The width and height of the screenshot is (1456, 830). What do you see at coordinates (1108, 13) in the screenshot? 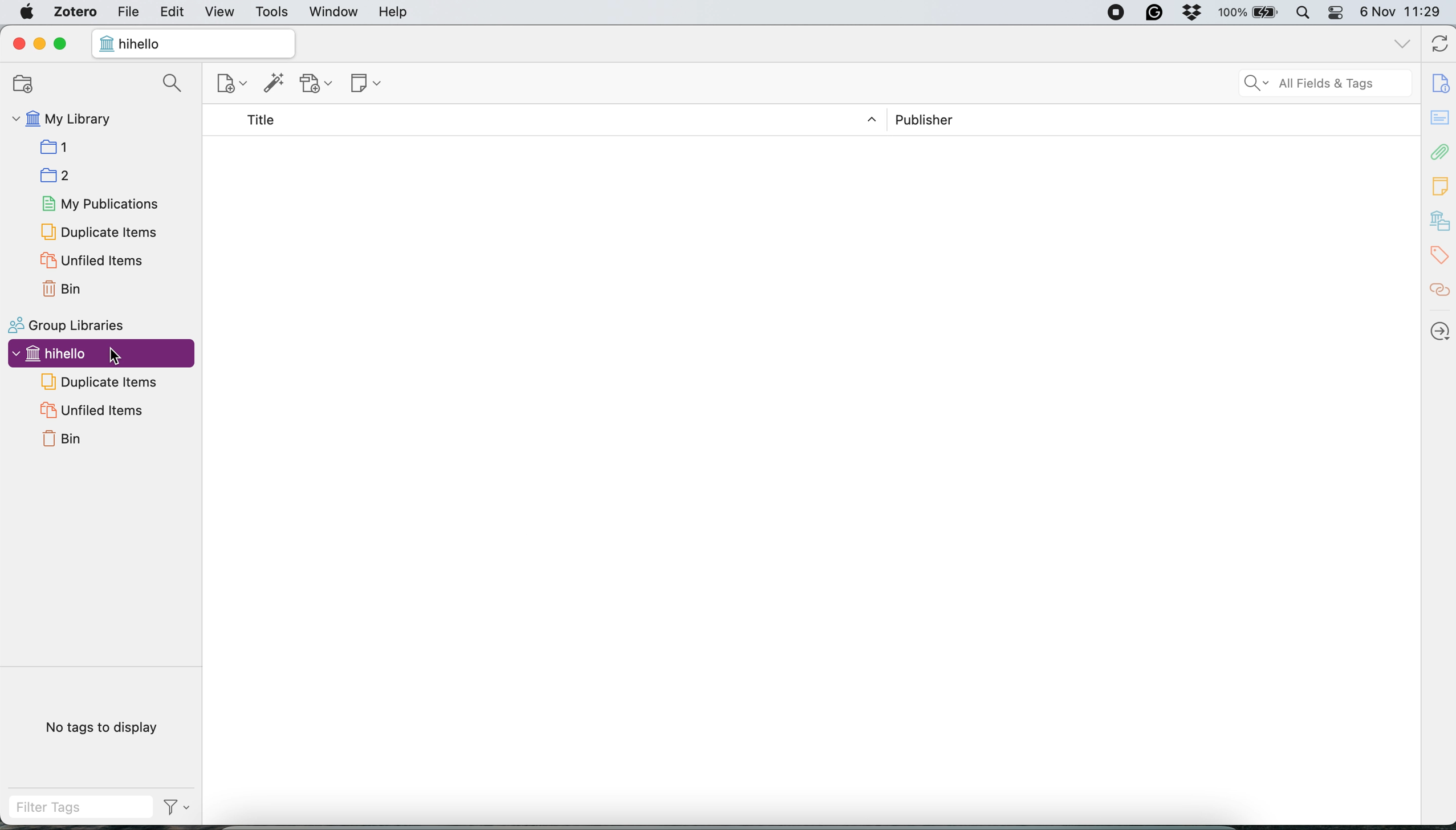
I see `screen recorder` at bounding box center [1108, 13].